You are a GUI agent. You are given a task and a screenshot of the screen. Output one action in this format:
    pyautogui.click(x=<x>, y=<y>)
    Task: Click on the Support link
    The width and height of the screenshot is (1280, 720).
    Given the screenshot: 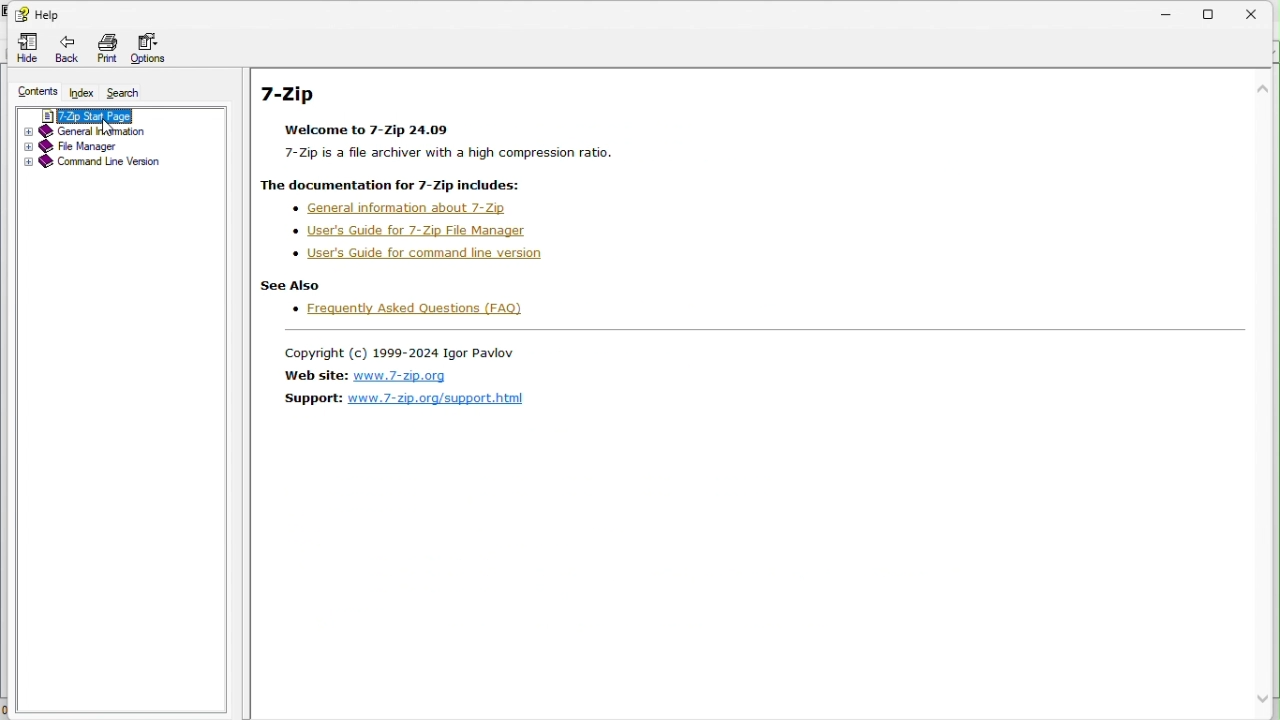 What is the action you would take?
    pyautogui.click(x=435, y=400)
    